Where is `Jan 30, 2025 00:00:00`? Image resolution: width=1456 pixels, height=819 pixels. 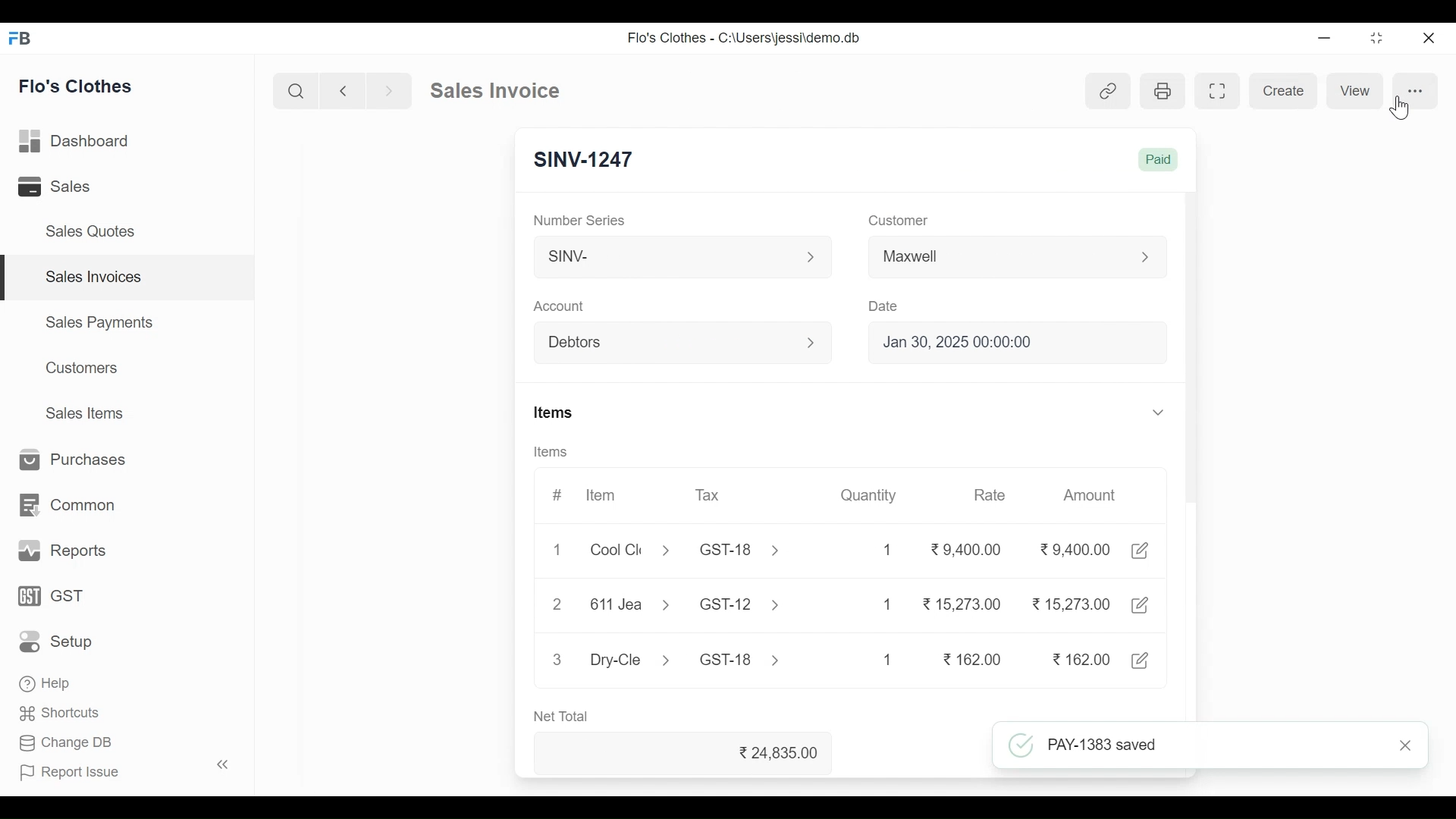 Jan 30, 2025 00:00:00 is located at coordinates (1020, 341).